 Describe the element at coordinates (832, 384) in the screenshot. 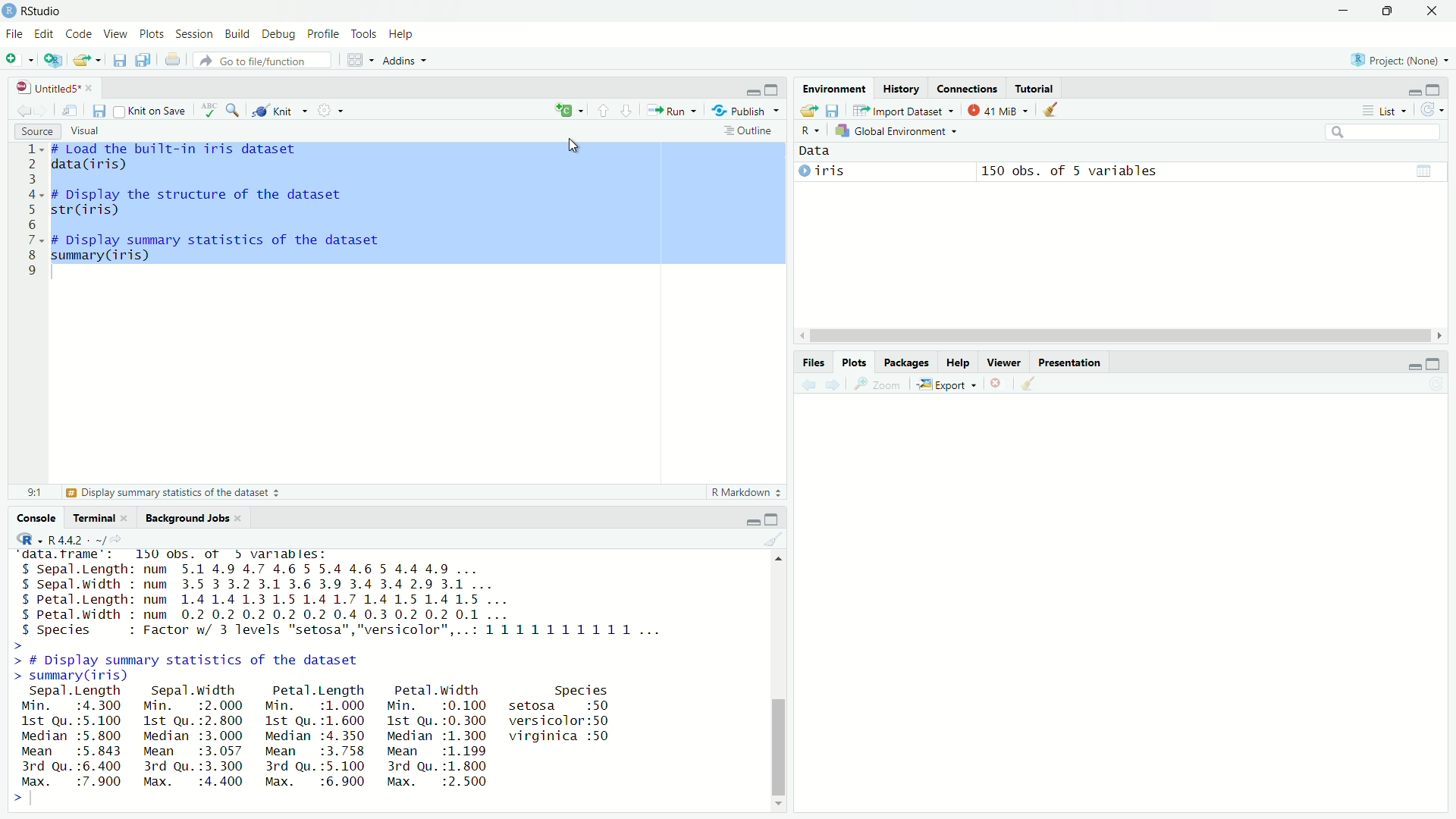

I see `Next plot` at that location.